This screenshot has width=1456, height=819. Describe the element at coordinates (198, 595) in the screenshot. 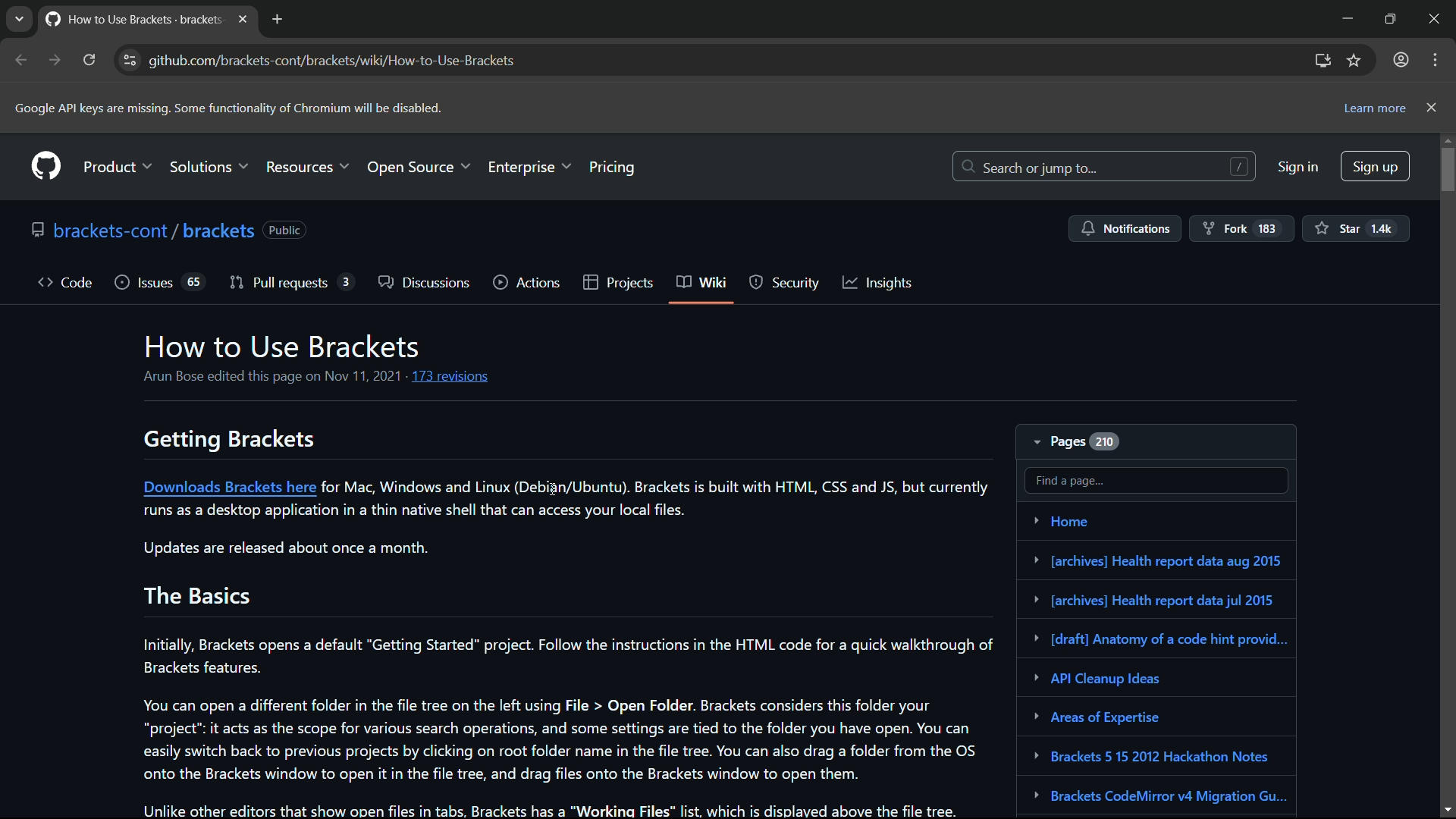

I see `the basics` at that location.